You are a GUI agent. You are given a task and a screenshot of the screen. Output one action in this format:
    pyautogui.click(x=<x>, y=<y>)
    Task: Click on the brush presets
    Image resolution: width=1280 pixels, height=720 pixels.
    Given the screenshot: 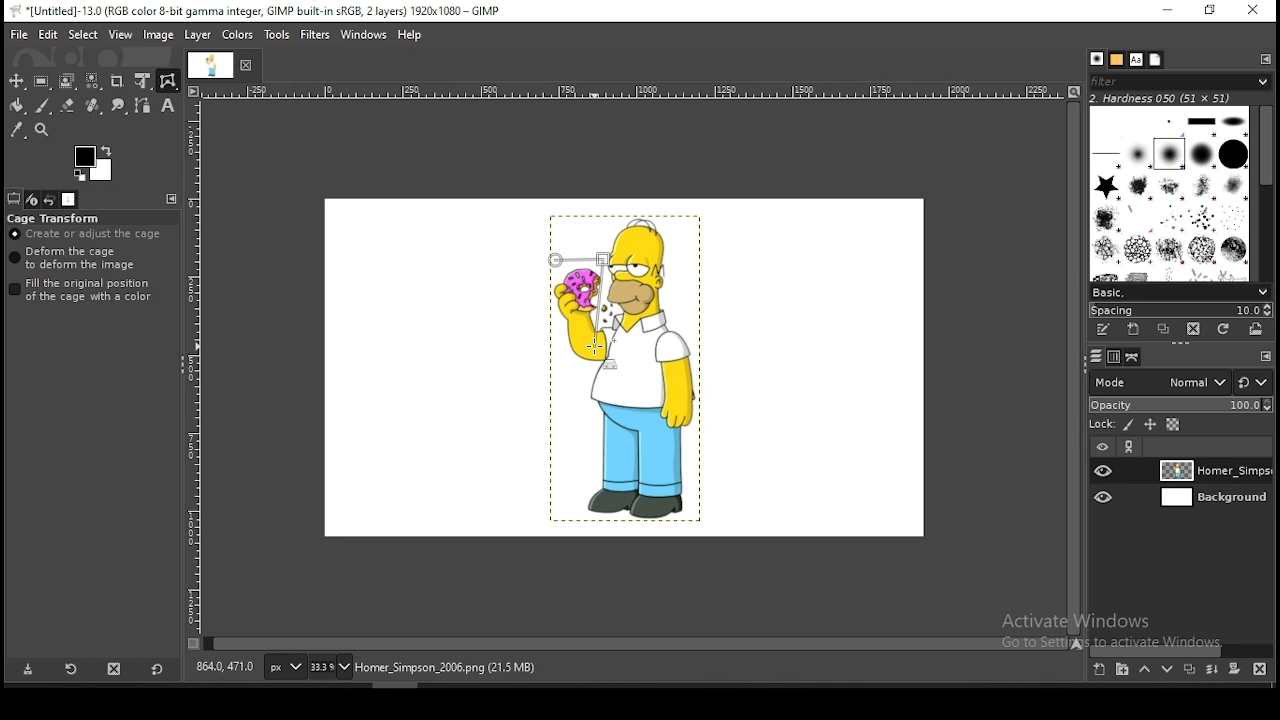 What is the action you would take?
    pyautogui.click(x=1181, y=290)
    